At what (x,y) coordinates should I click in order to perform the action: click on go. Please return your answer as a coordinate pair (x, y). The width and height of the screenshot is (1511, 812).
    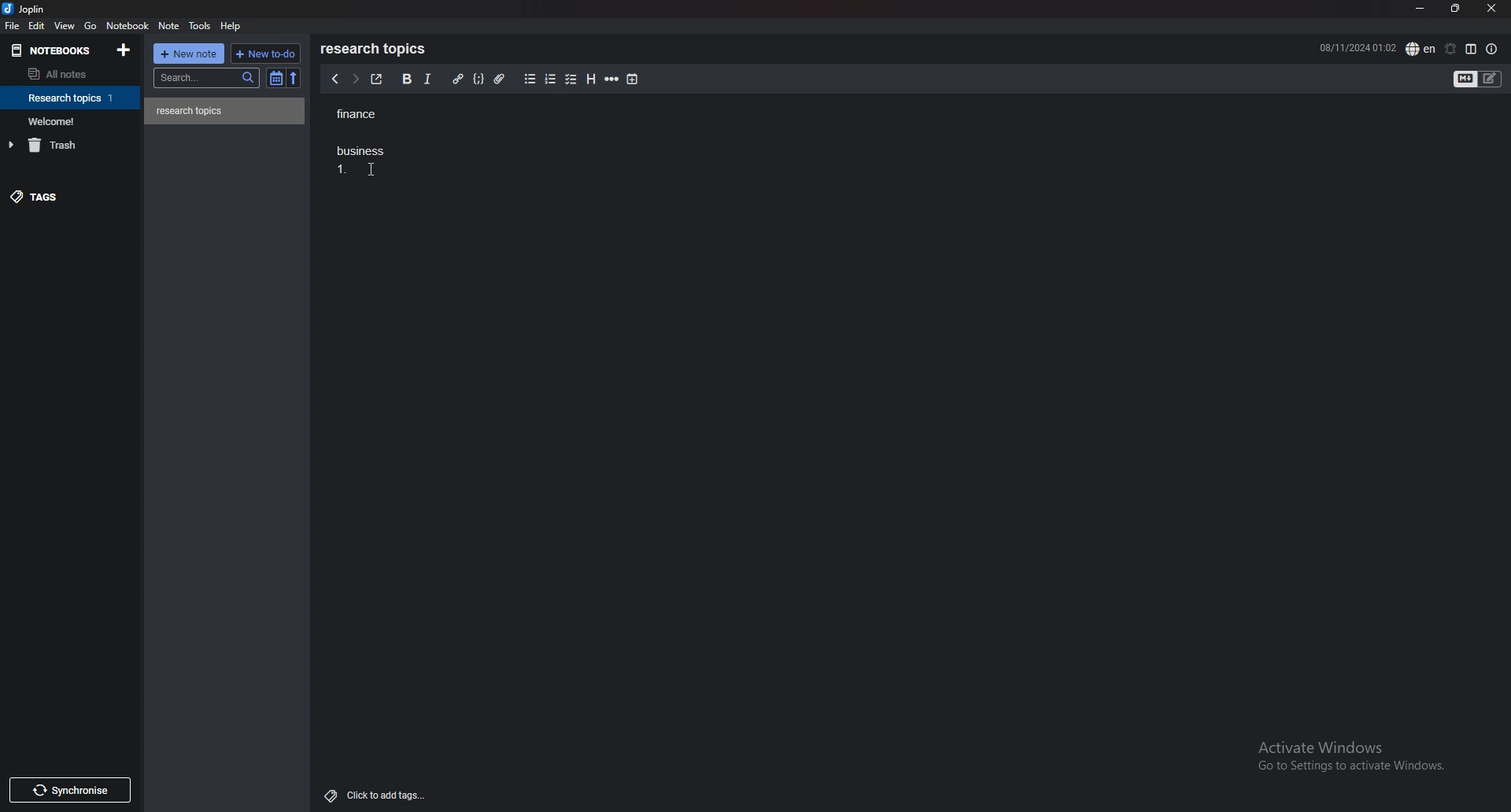
    Looking at the image, I should click on (90, 26).